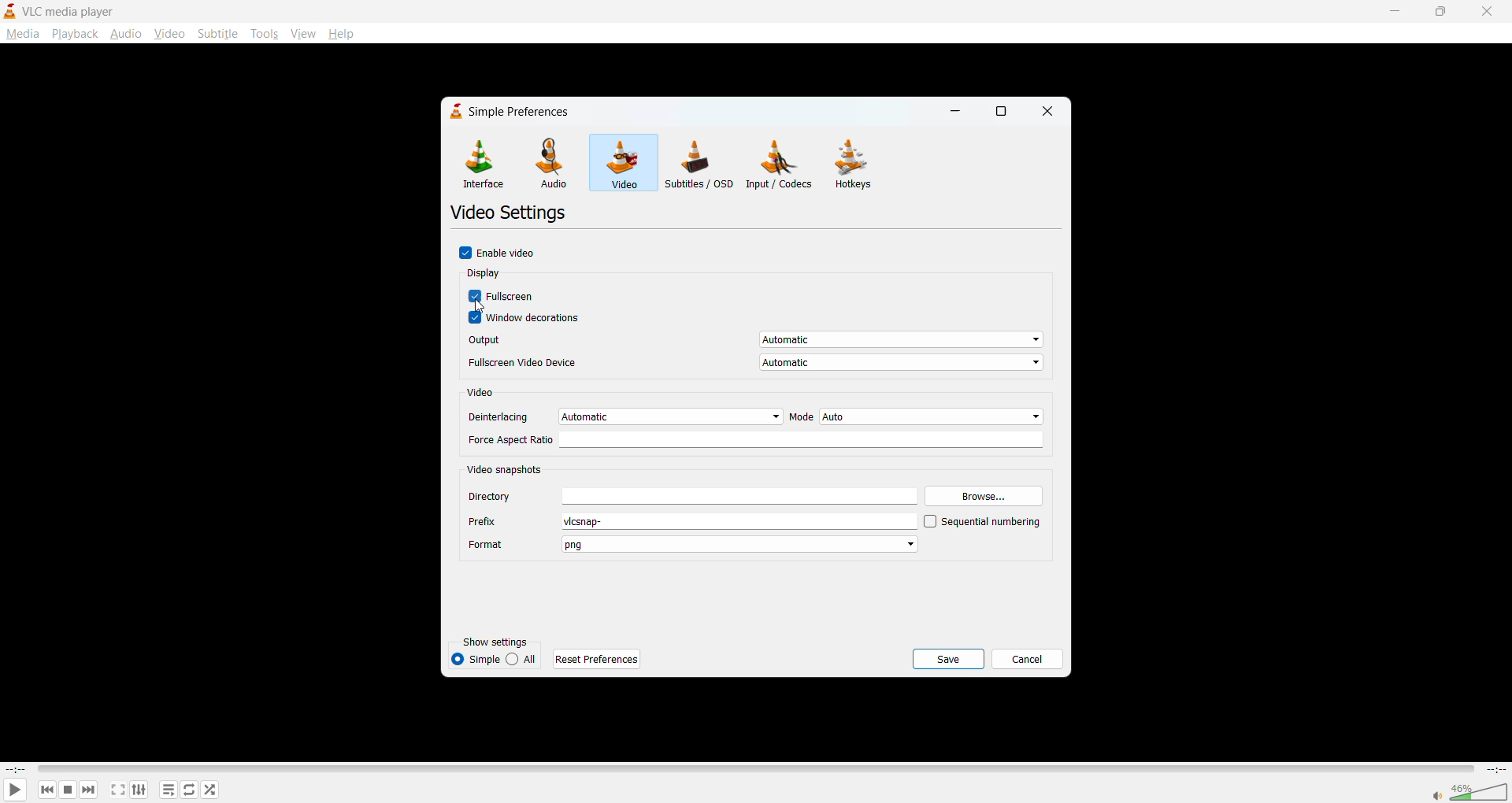  Describe the element at coordinates (1440, 13) in the screenshot. I see `maximize` at that location.